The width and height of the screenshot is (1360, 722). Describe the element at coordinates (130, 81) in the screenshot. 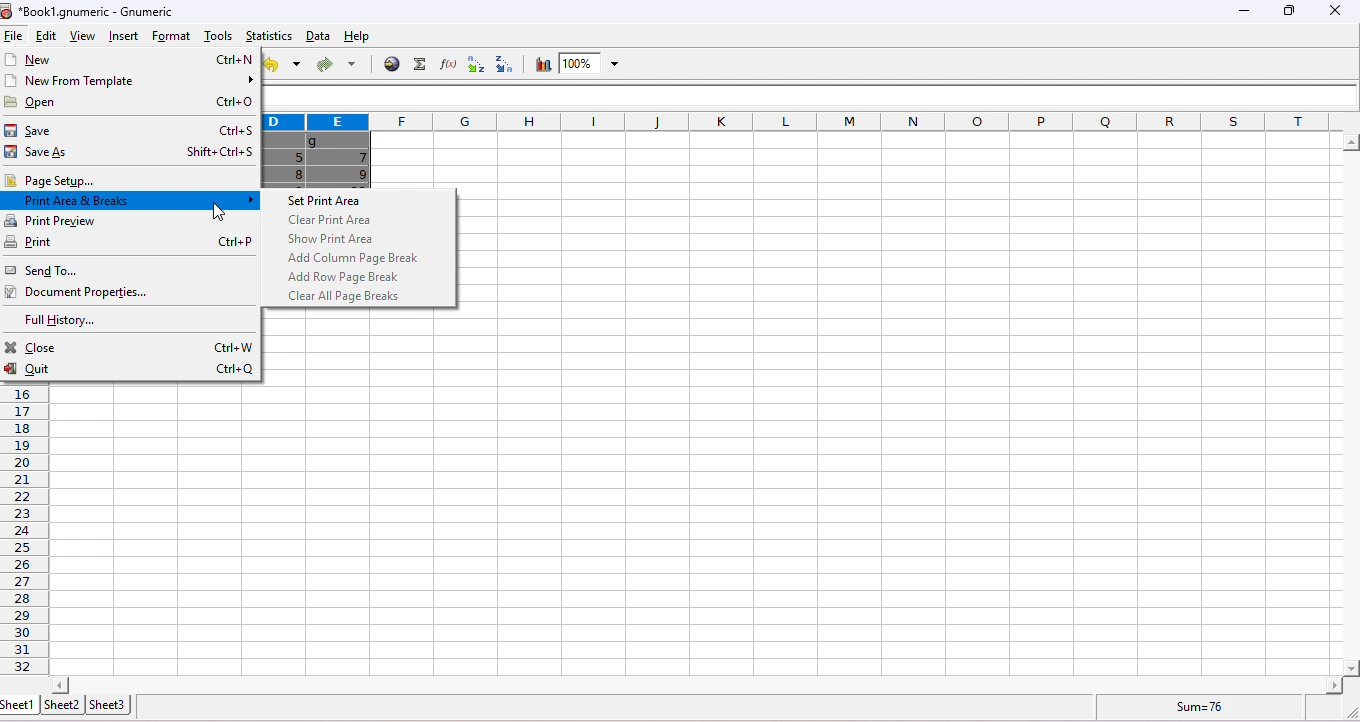

I see `new from template` at that location.